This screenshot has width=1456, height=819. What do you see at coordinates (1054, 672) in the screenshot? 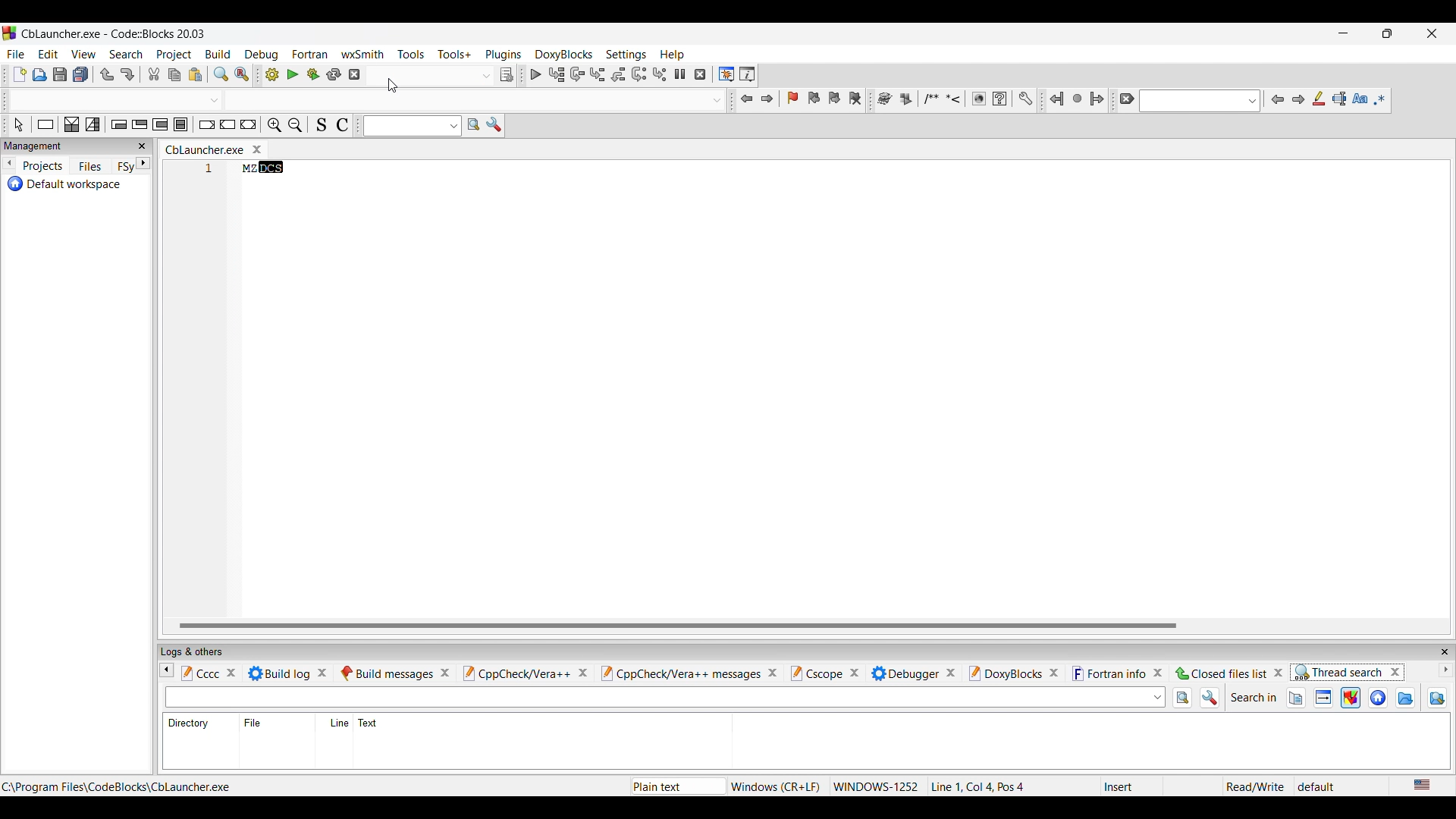
I see `Close DoxyBlocks` at bounding box center [1054, 672].